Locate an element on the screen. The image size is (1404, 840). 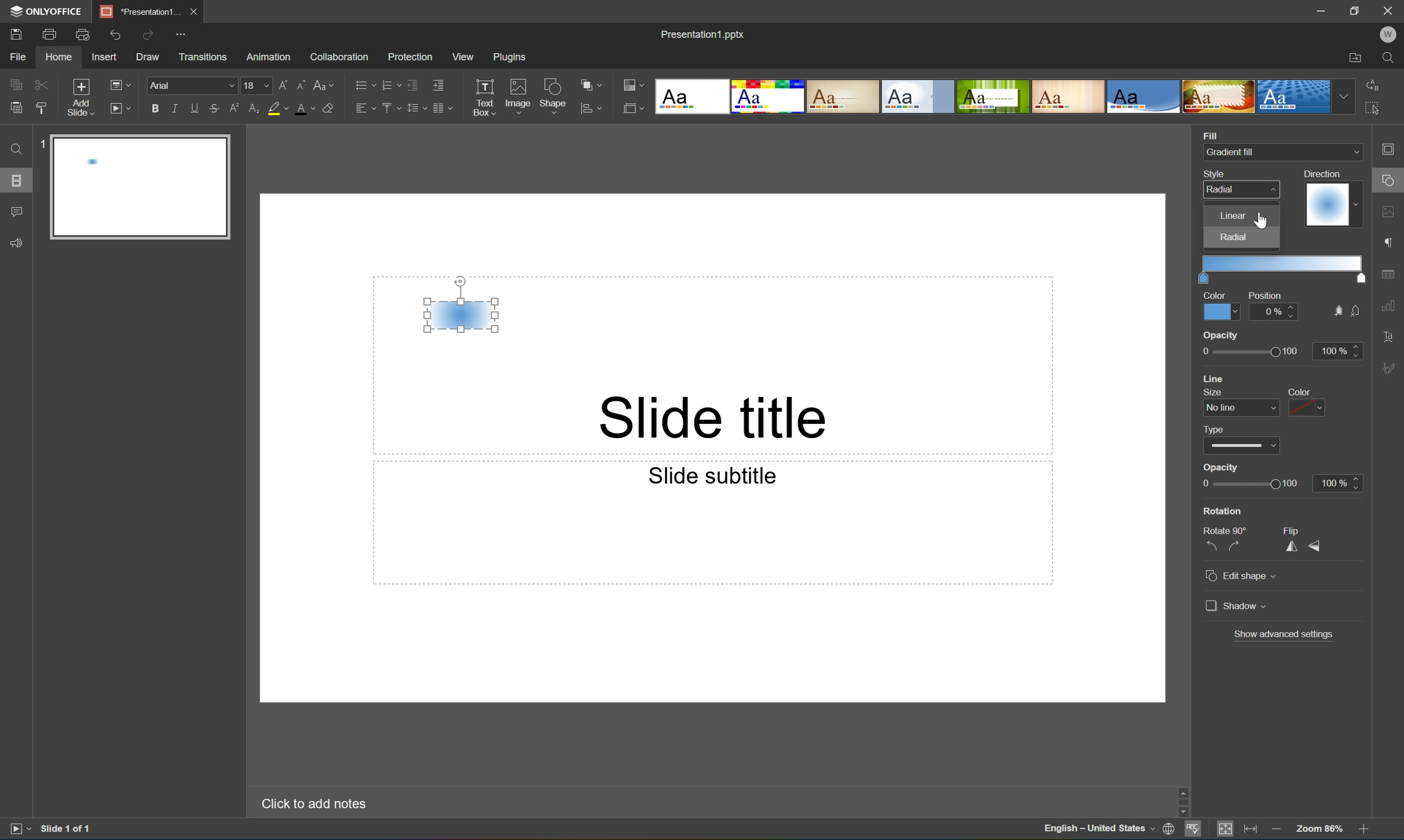
Shape is located at coordinates (554, 98).